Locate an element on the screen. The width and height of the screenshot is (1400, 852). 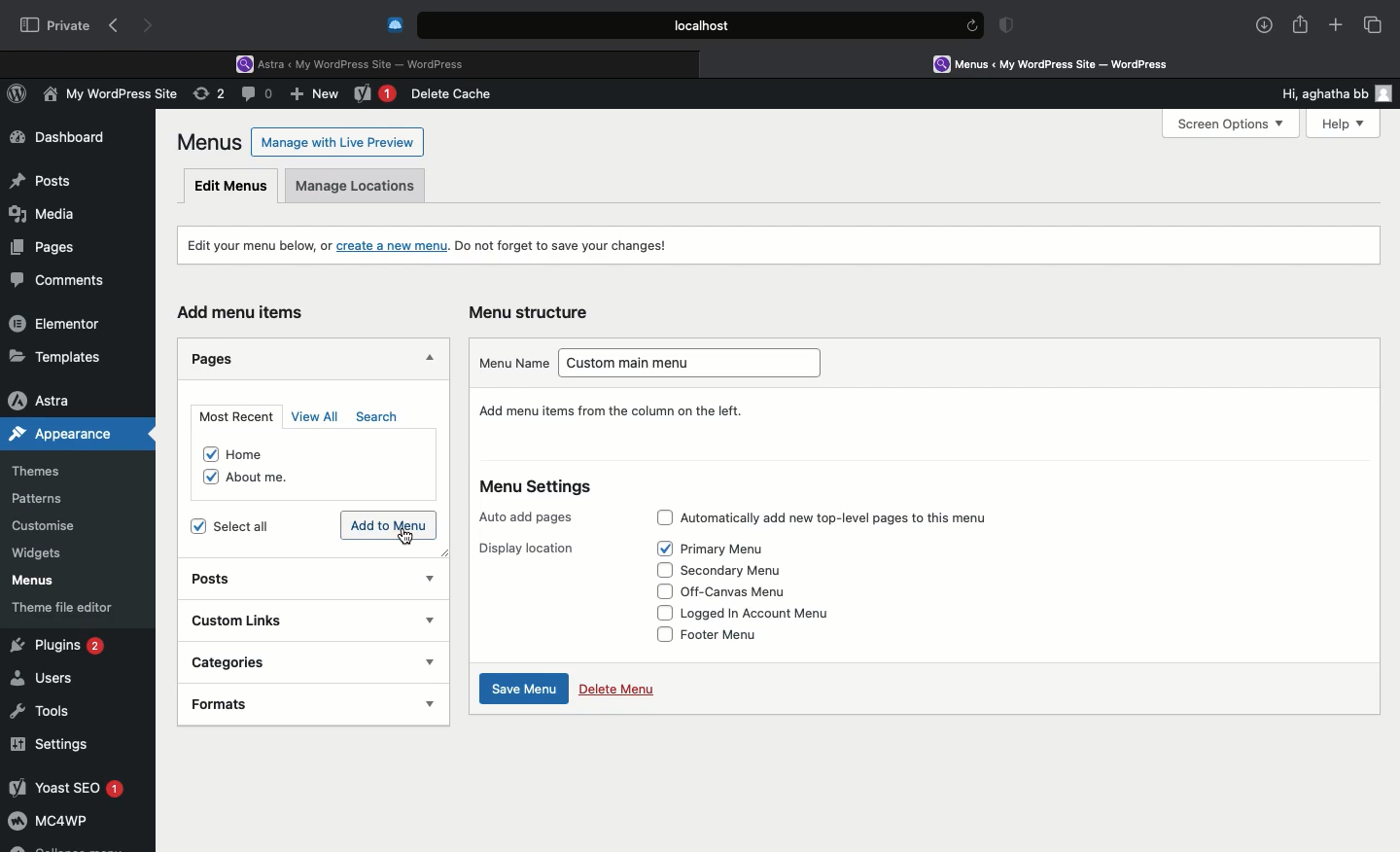
Menu structure is located at coordinates (533, 312).